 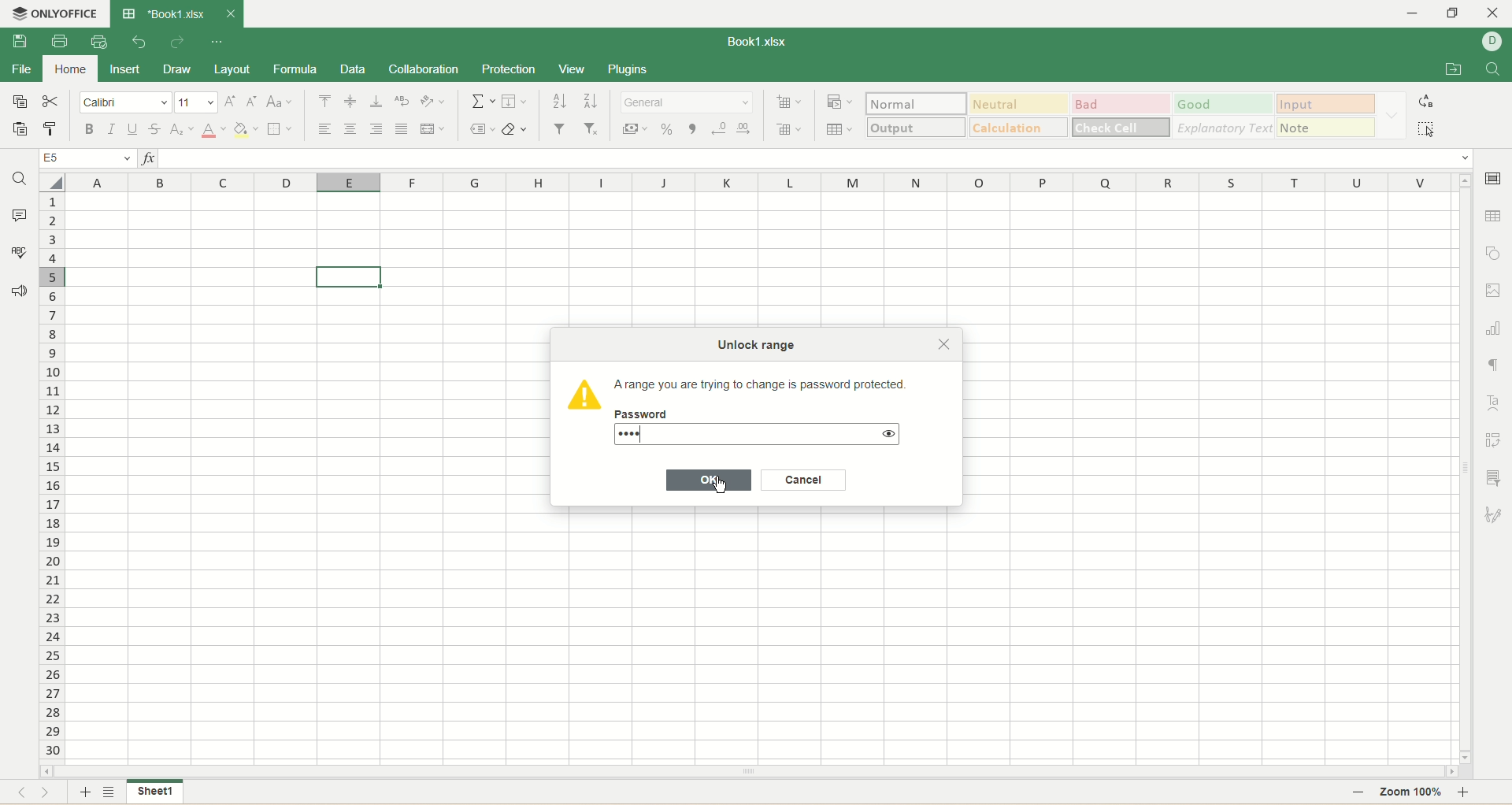 What do you see at coordinates (736, 436) in the screenshot?
I see `....` at bounding box center [736, 436].